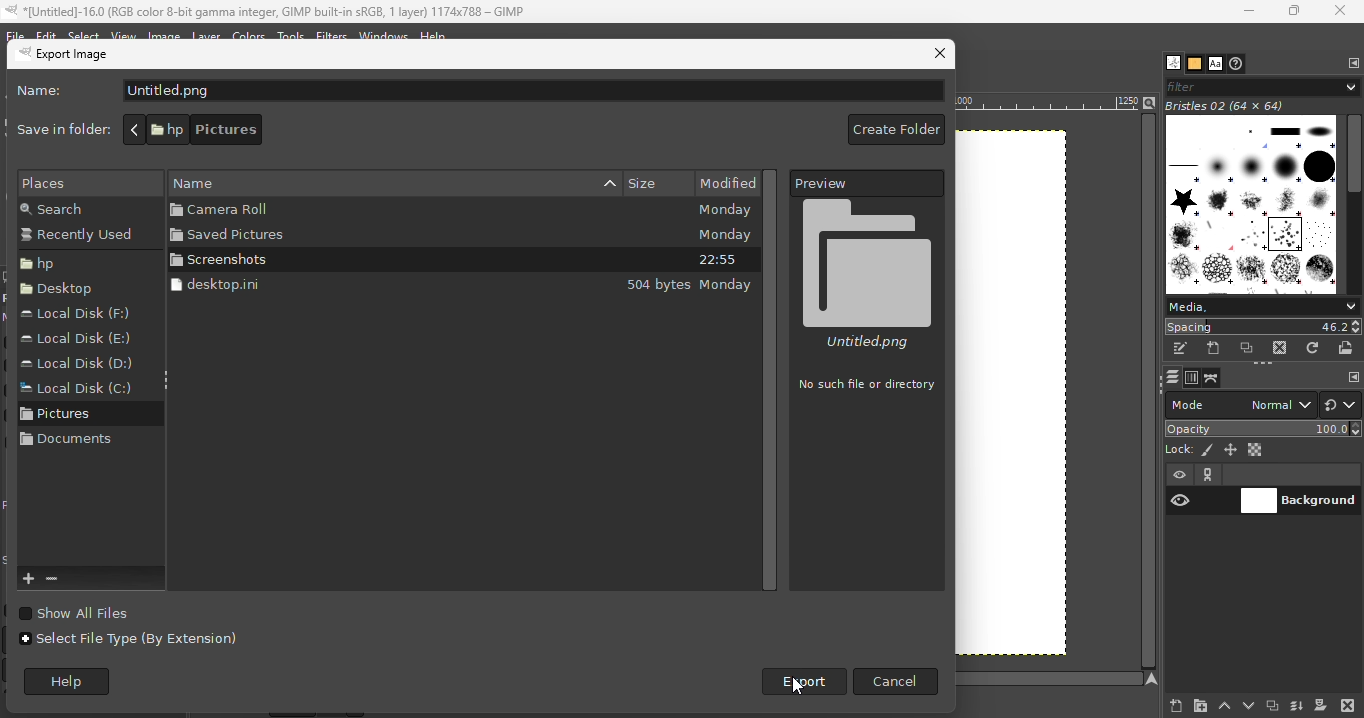 The image size is (1364, 718). I want to click on Cursor, so click(798, 687).